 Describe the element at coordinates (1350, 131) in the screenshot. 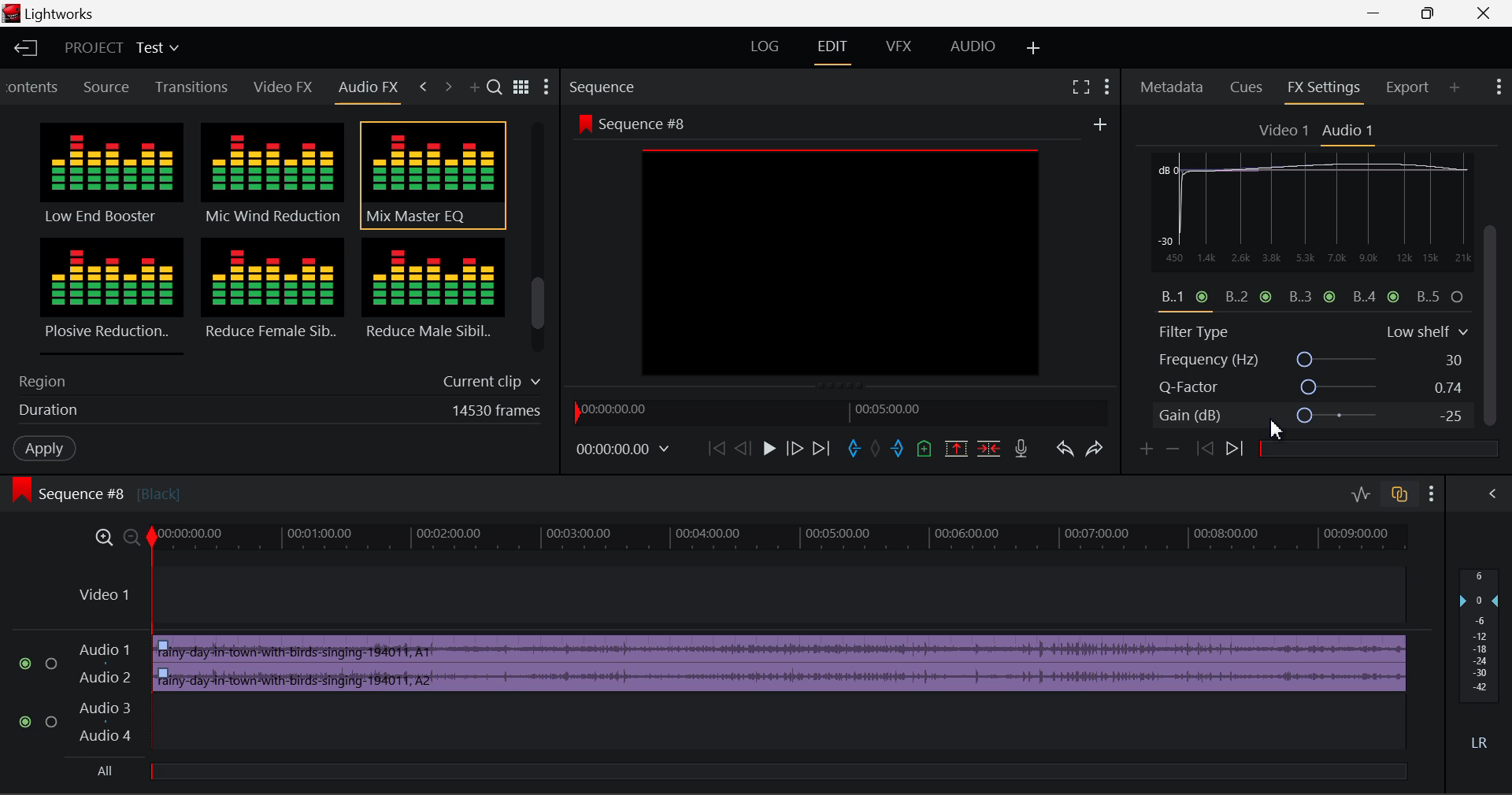

I see `Audio 1 Settings` at that location.